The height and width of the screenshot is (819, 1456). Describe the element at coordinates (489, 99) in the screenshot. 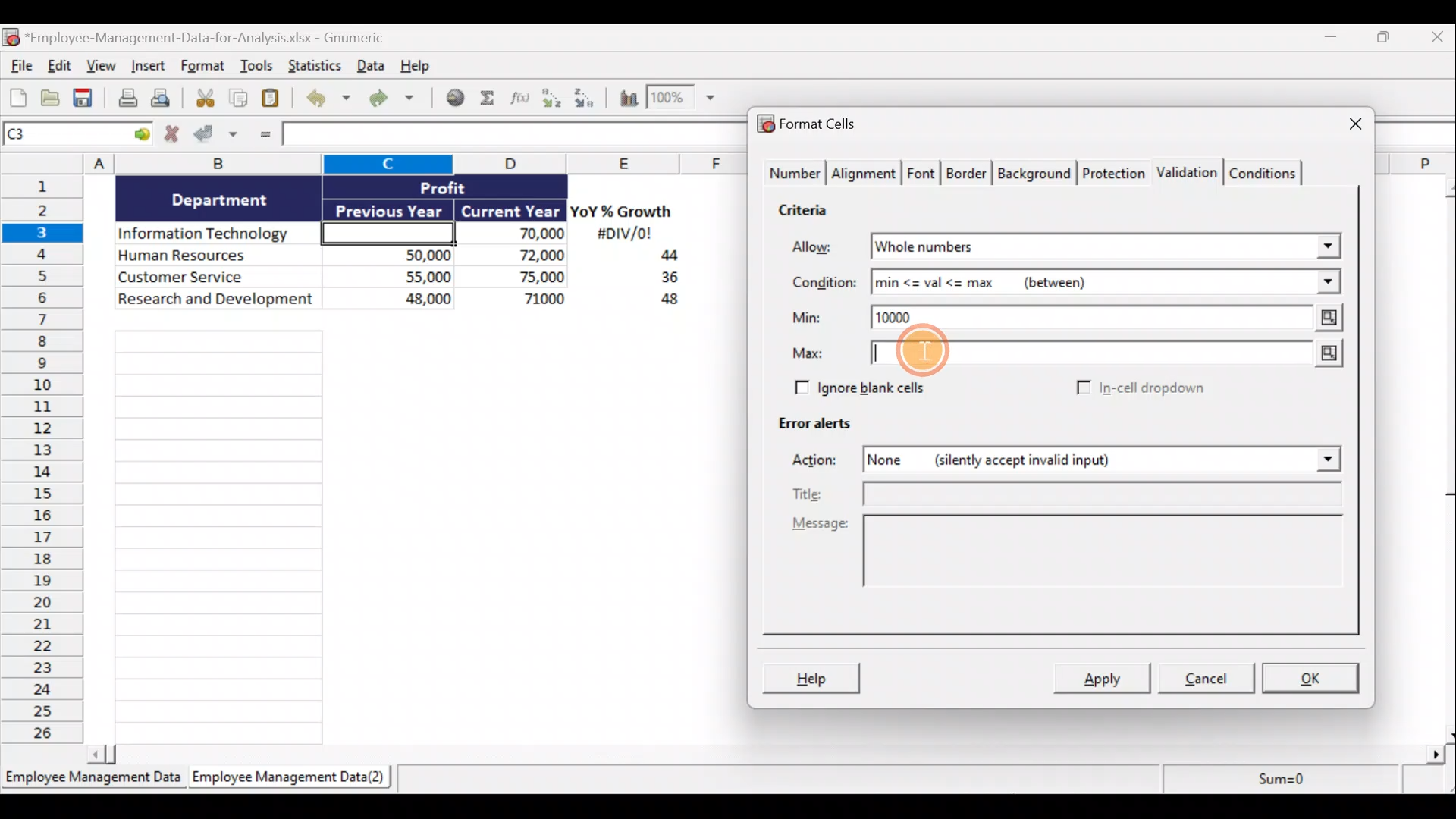

I see `Sum into the current cell` at that location.